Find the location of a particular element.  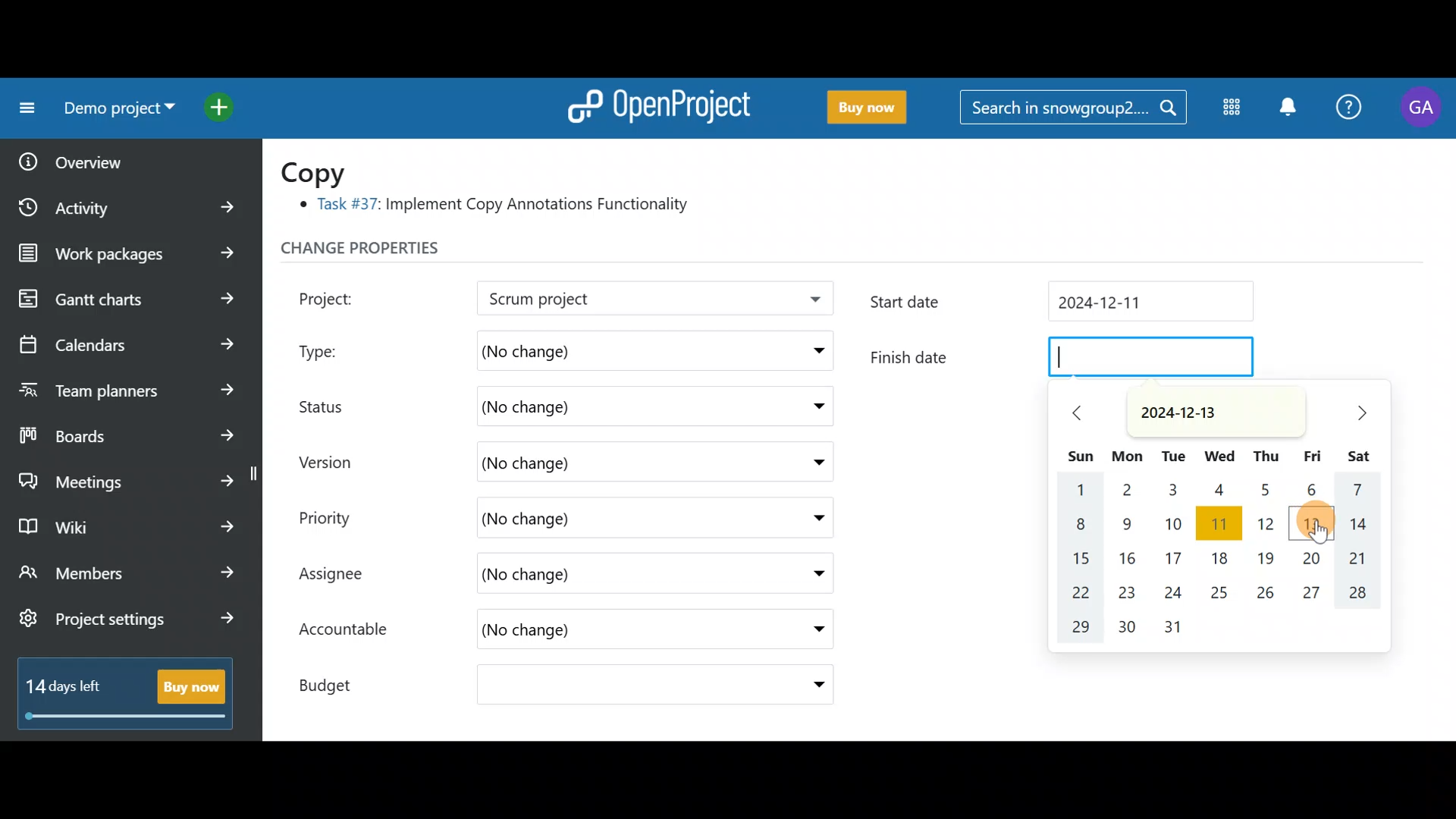

Budget is located at coordinates (340, 681).